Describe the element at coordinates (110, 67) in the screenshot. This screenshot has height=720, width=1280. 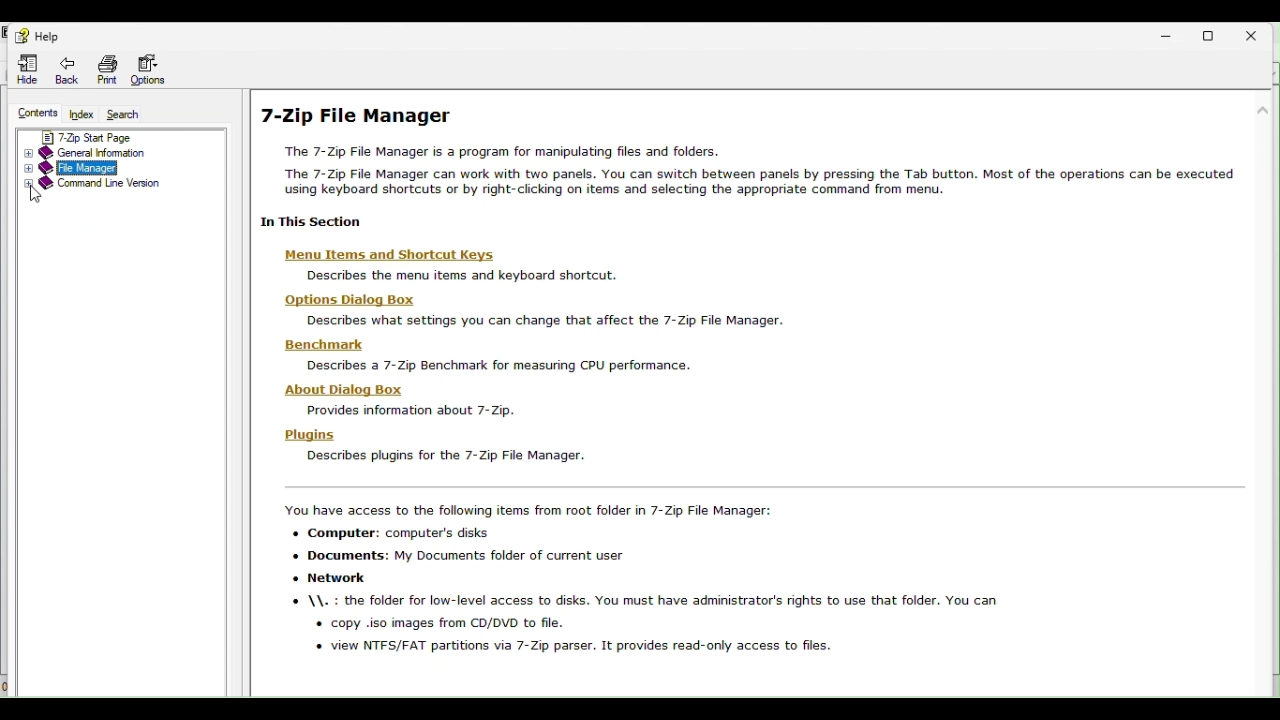
I see `print` at that location.